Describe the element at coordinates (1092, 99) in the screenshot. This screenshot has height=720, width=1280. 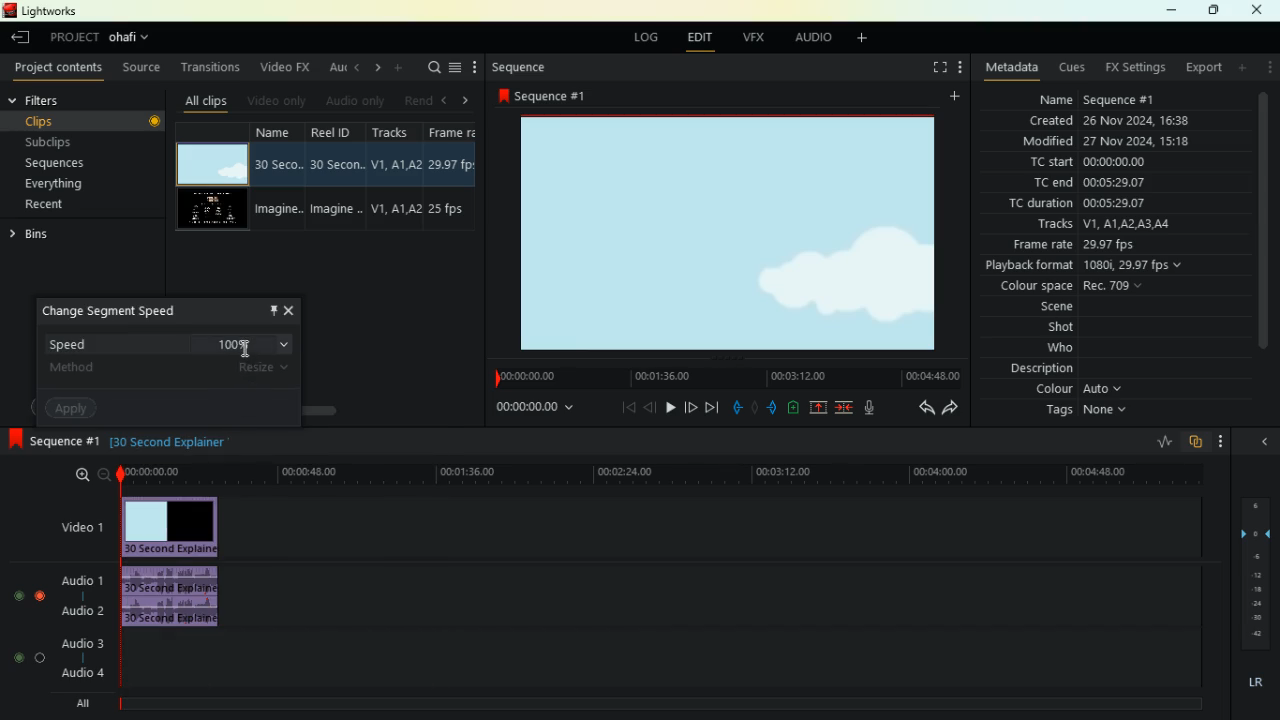
I see `name` at that location.